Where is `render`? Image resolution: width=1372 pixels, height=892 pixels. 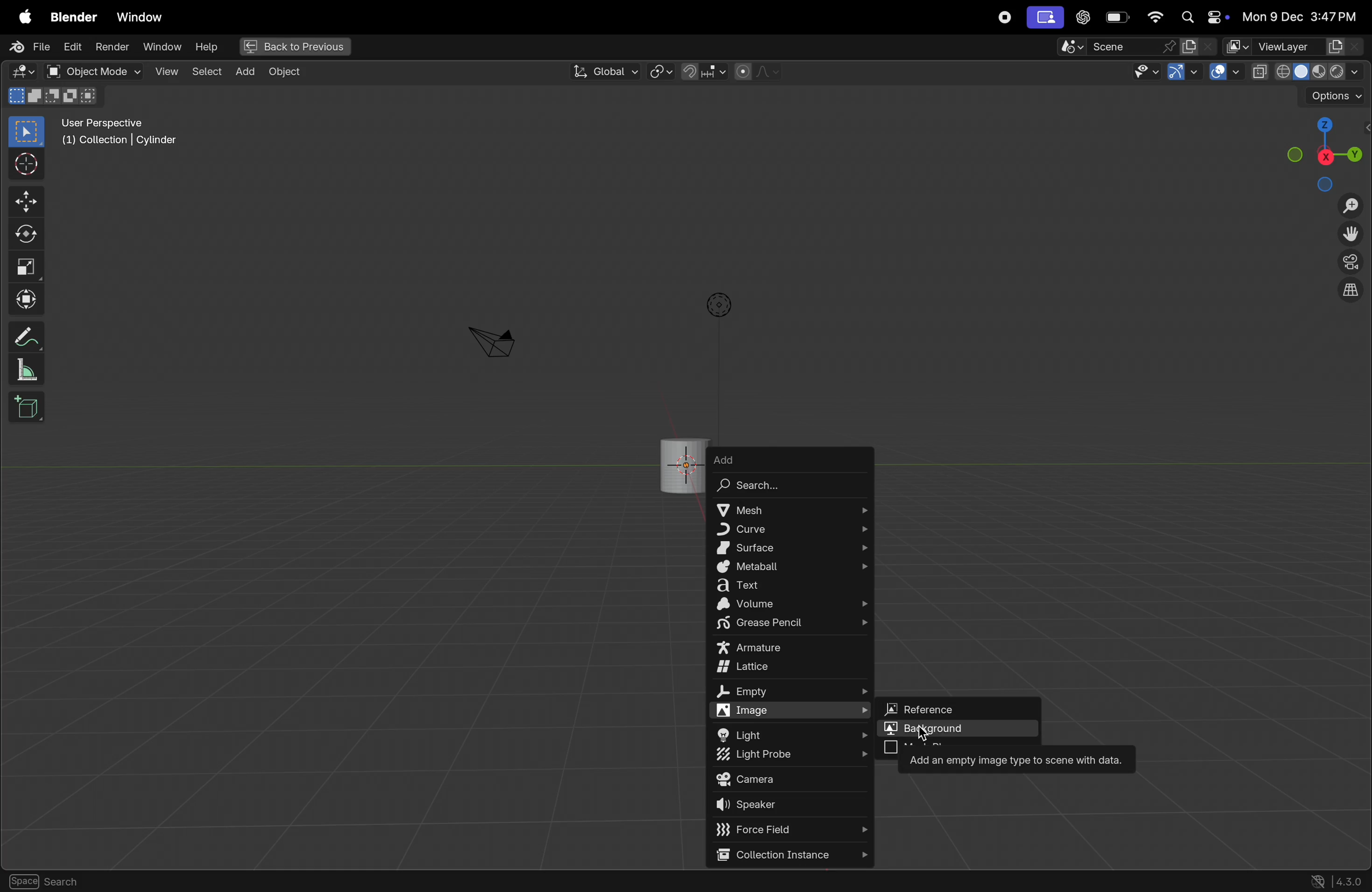
render is located at coordinates (112, 48).